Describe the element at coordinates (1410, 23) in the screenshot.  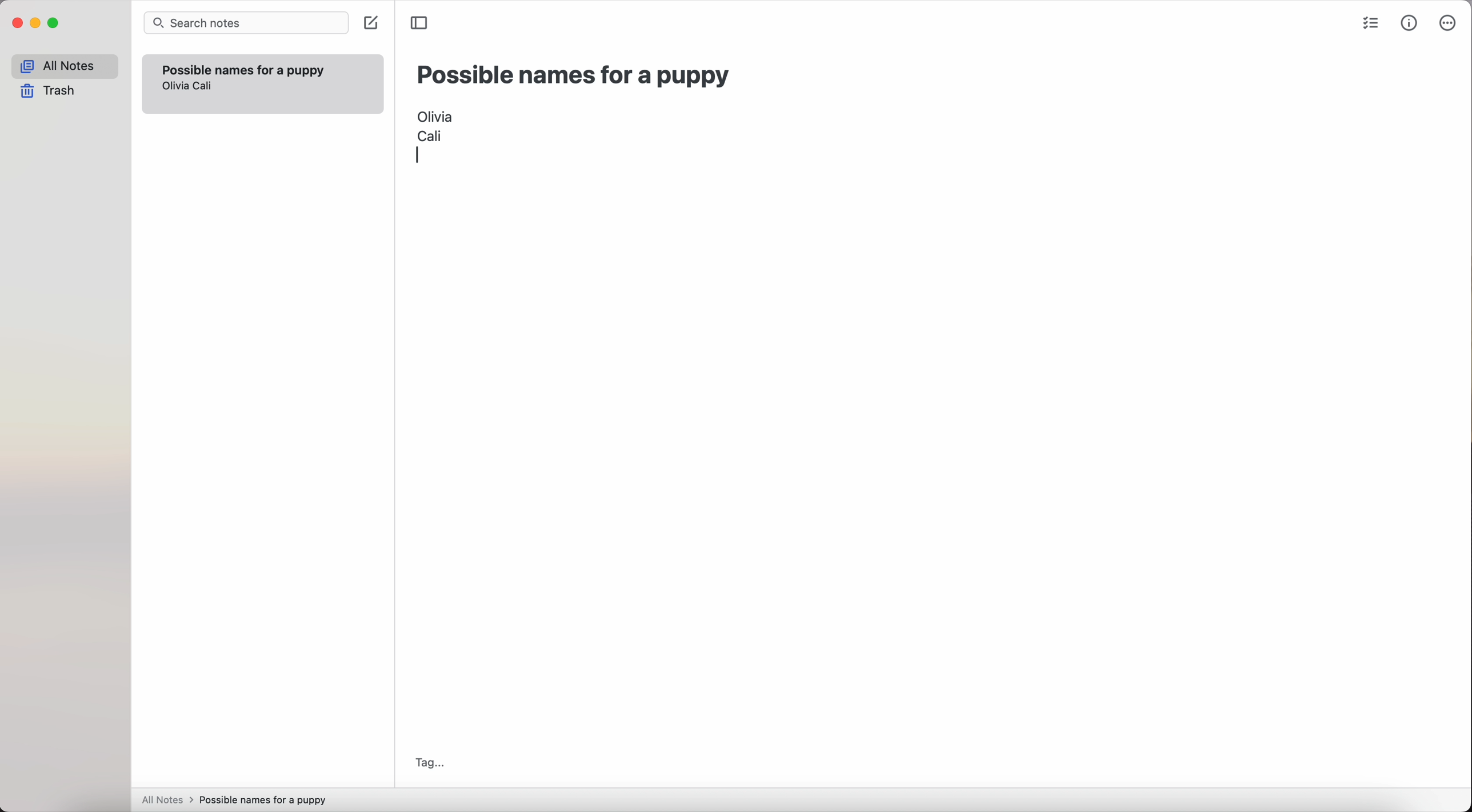
I see `metrics` at that location.